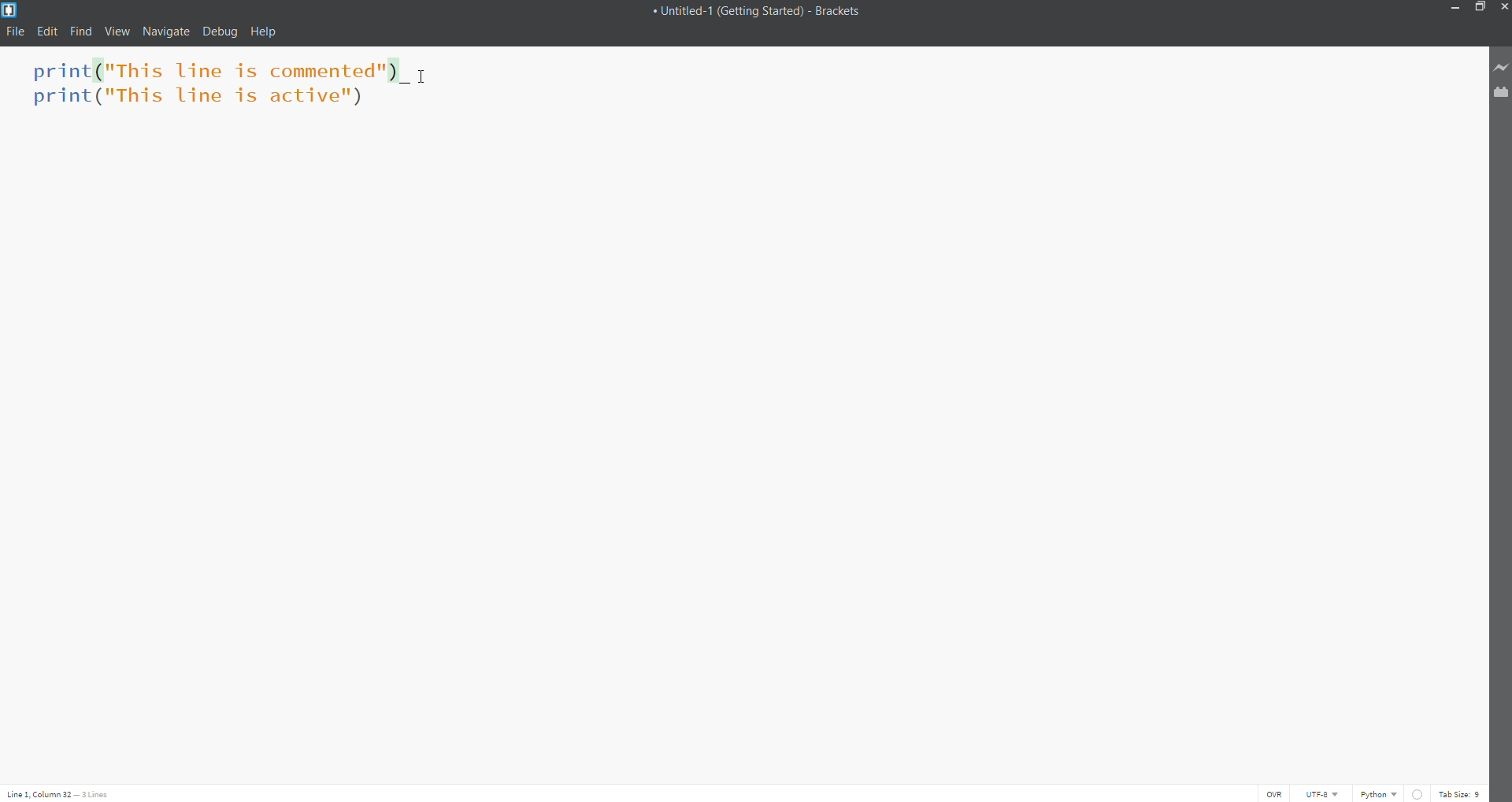 The image size is (1512, 802). Describe the element at coordinates (13, 32) in the screenshot. I see `File` at that location.